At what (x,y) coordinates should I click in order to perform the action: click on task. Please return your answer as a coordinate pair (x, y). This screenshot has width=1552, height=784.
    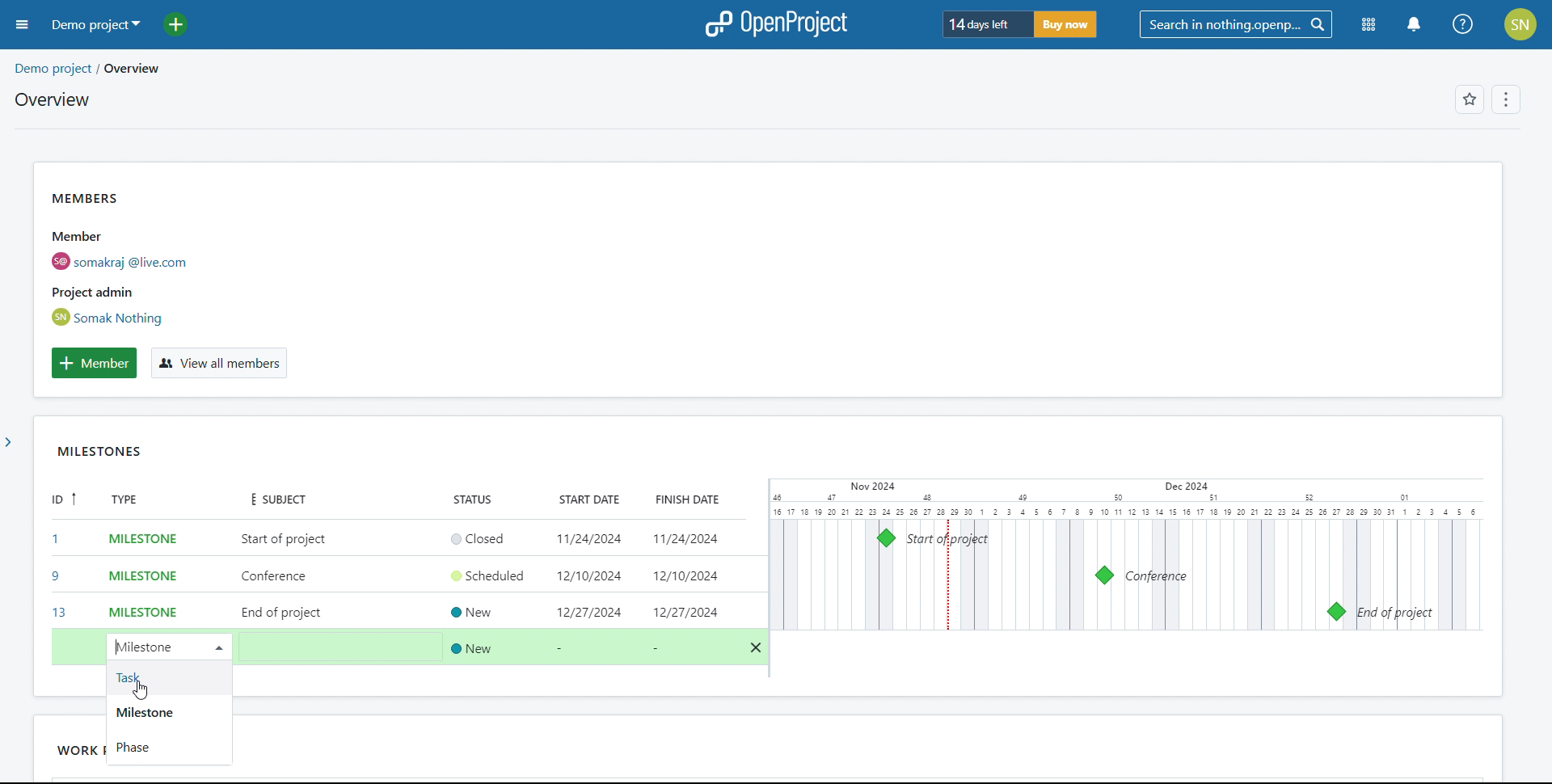
    Looking at the image, I should click on (168, 677).